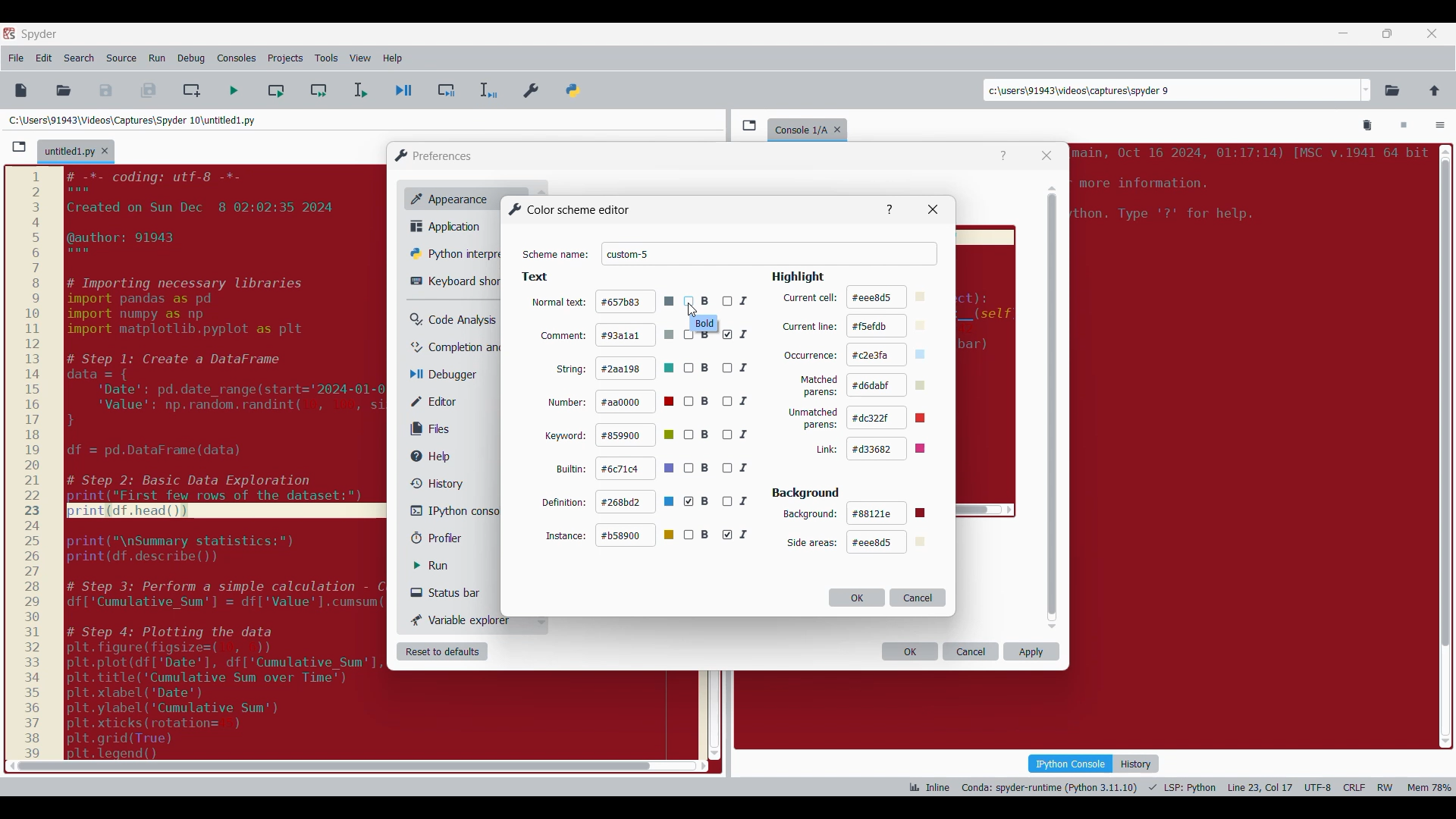 This screenshot has width=1456, height=819. What do you see at coordinates (692, 311) in the screenshot?
I see `cursor` at bounding box center [692, 311].